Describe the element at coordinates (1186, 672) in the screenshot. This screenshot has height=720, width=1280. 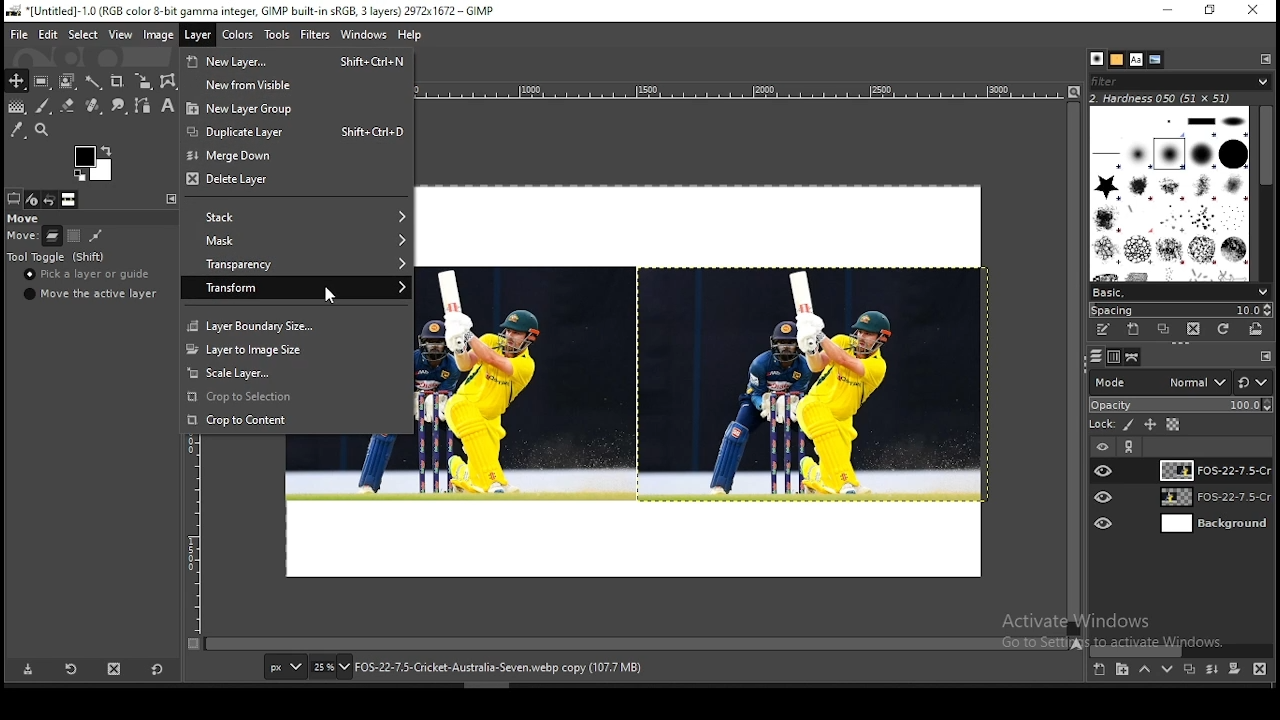
I see `duplicate layer` at that location.